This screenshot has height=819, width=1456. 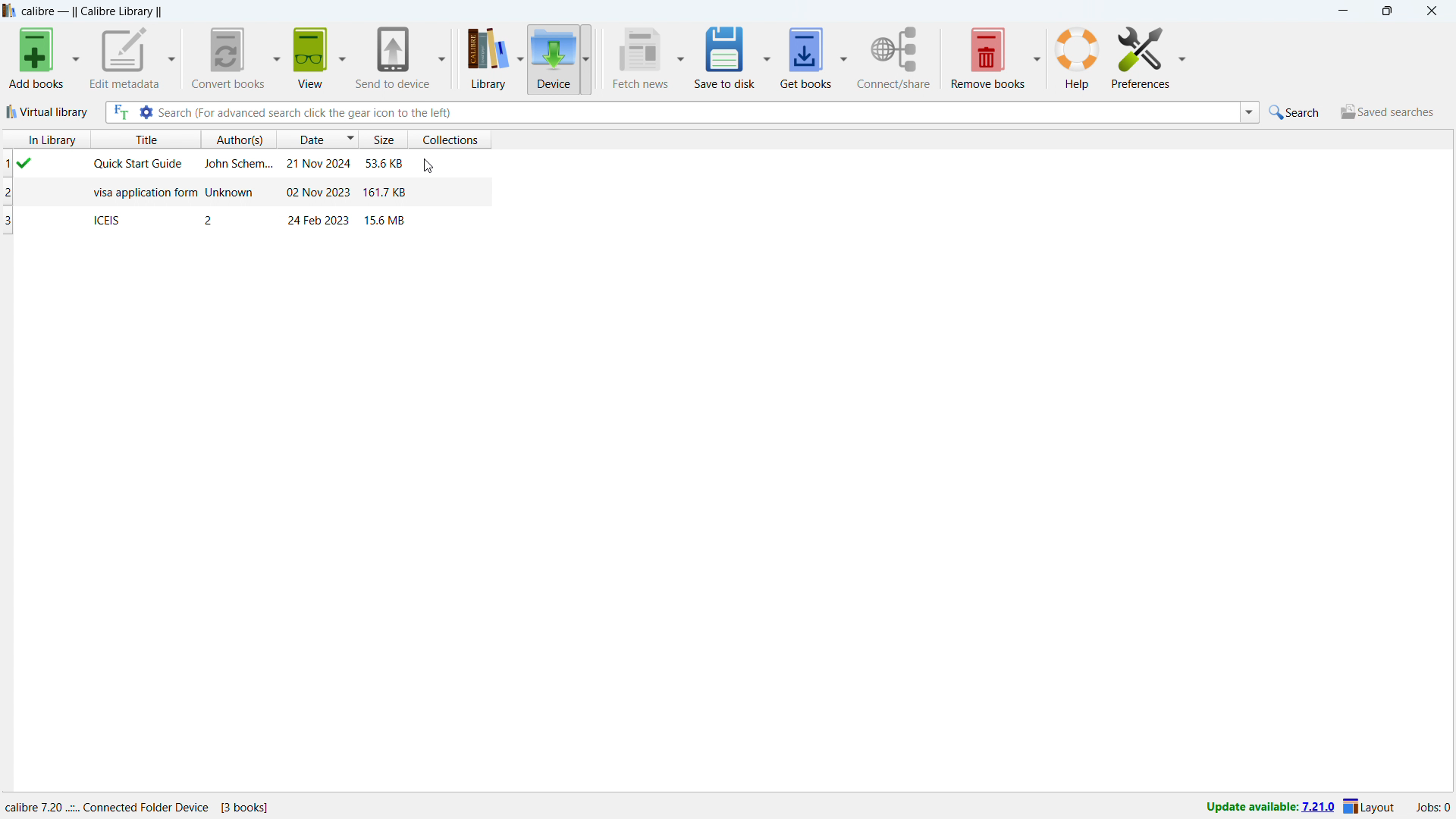 What do you see at coordinates (124, 58) in the screenshot?
I see `edit metadata` at bounding box center [124, 58].